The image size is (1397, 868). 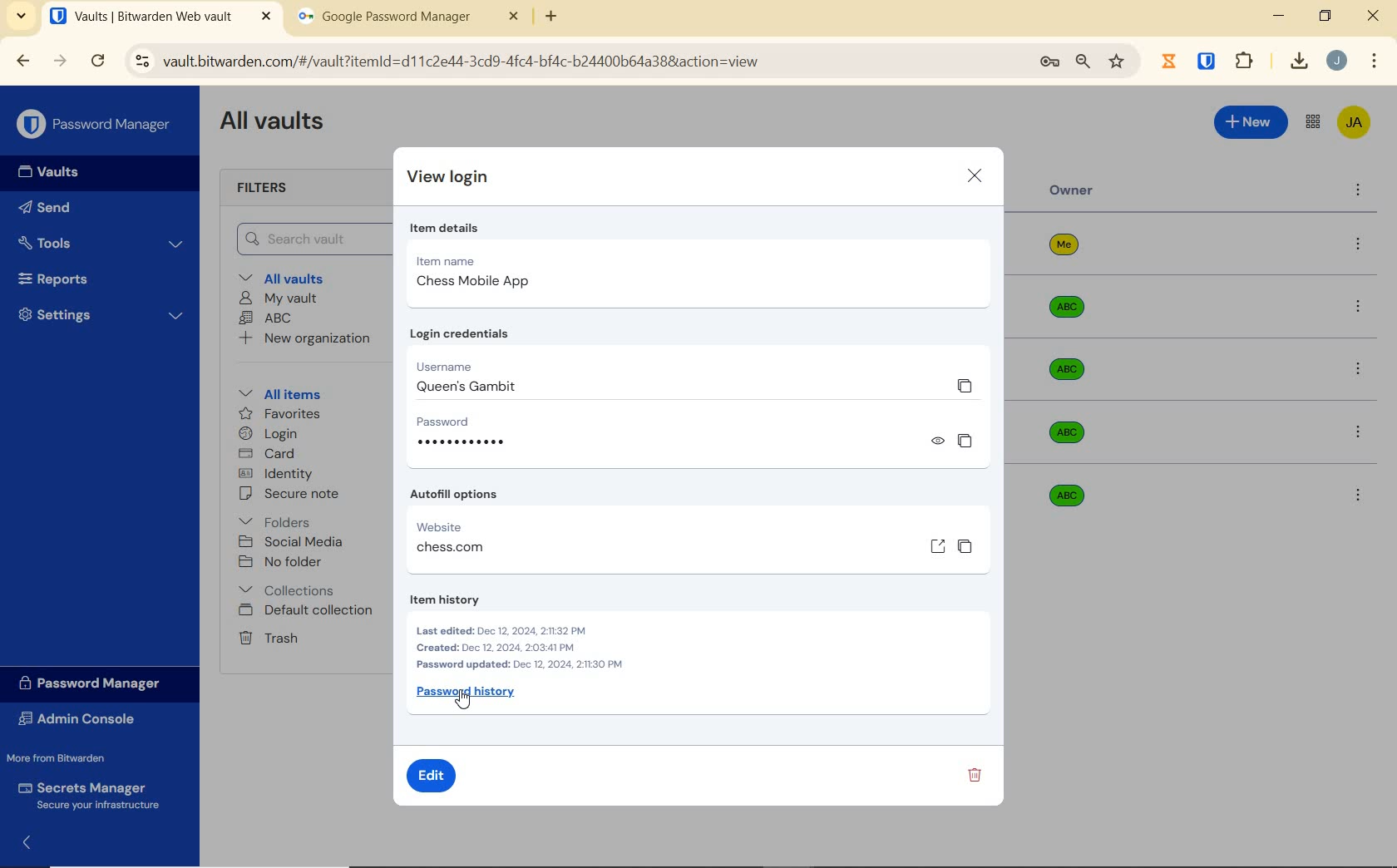 What do you see at coordinates (1375, 62) in the screenshot?
I see `customize Google chrome` at bounding box center [1375, 62].